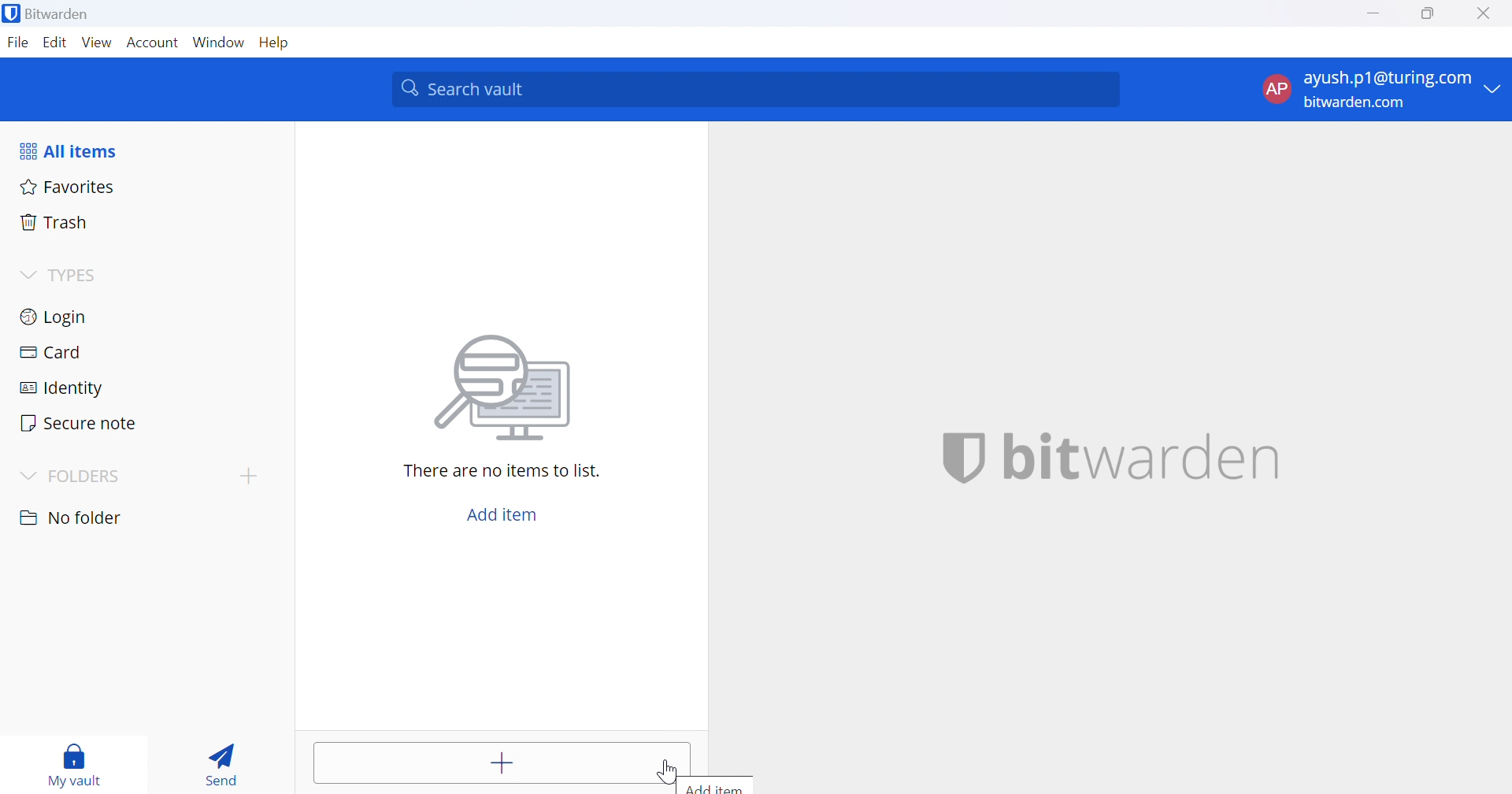 The image size is (1512, 794). What do you see at coordinates (62, 388) in the screenshot?
I see `Identity` at bounding box center [62, 388].